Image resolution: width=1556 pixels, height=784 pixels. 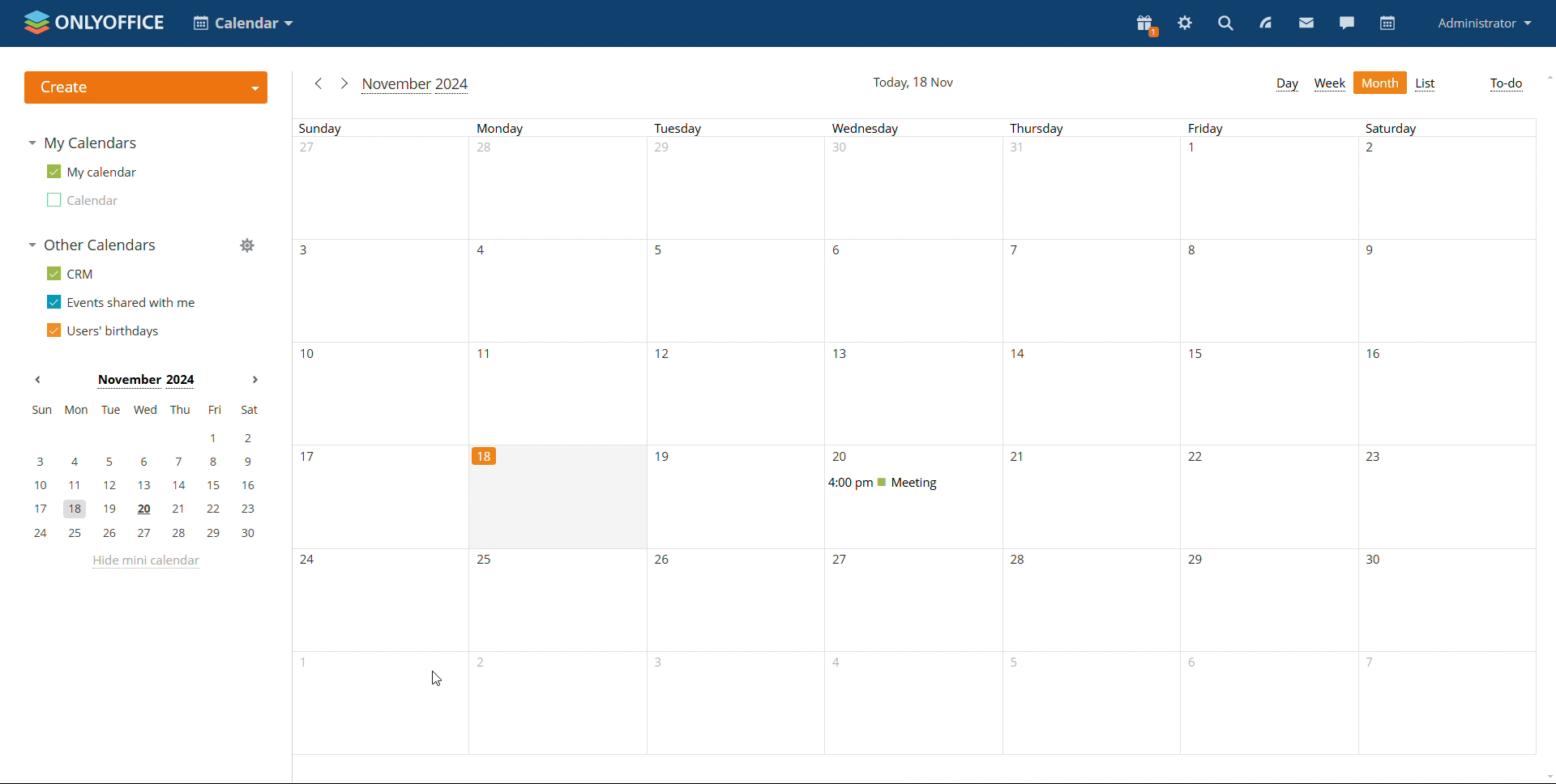 I want to click on week view, so click(x=1329, y=83).